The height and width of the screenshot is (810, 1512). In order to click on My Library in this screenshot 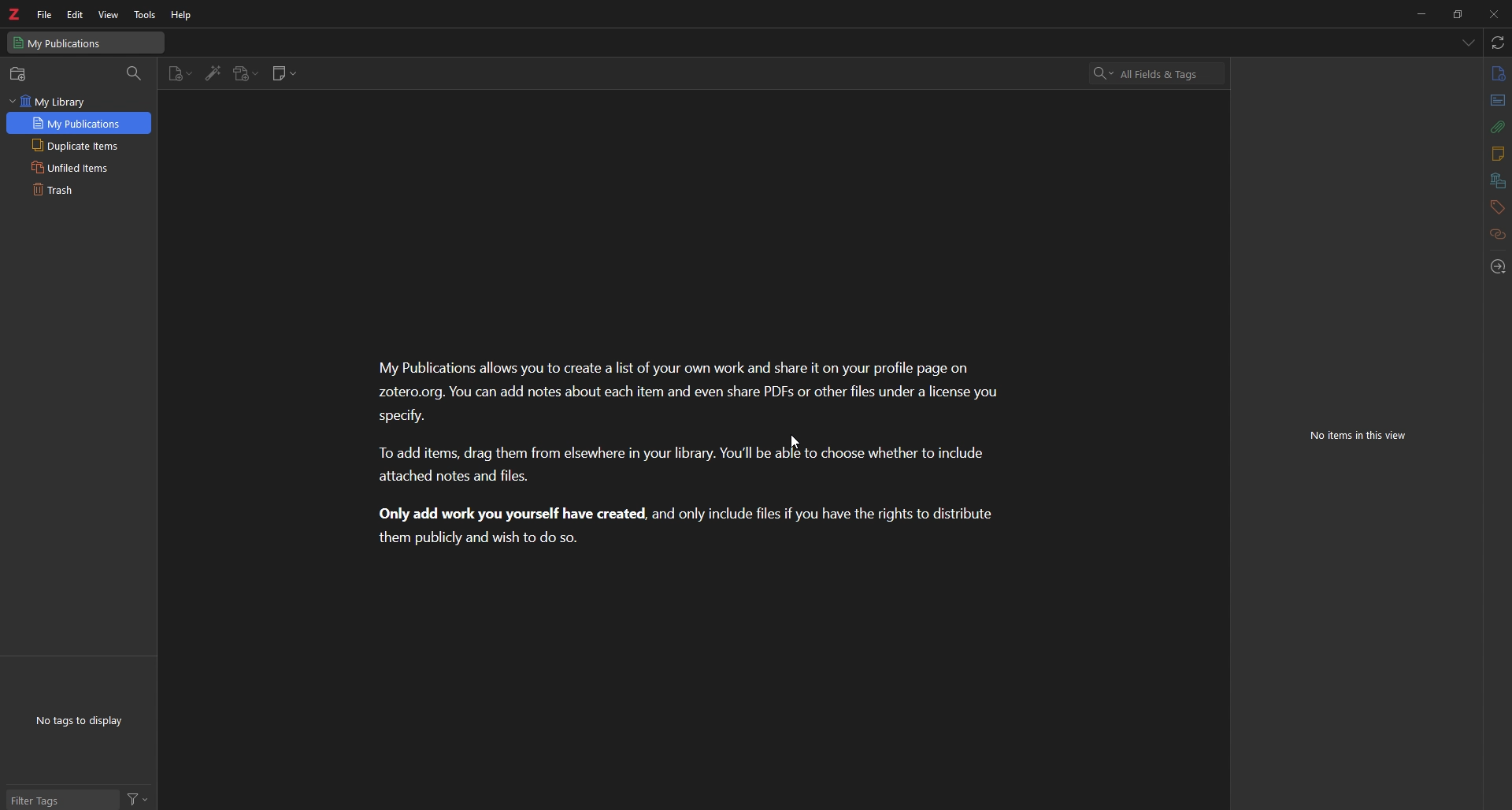, I will do `click(87, 42)`.